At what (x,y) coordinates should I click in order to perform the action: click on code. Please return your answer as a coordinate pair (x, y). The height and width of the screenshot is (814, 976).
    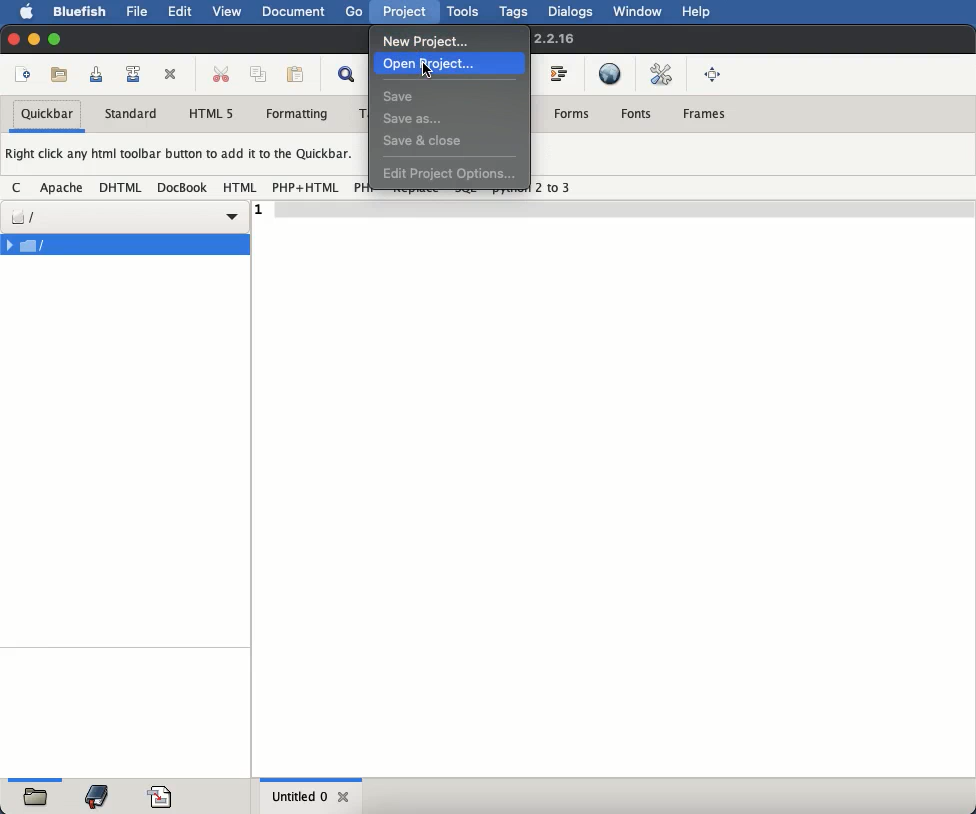
    Looking at the image, I should click on (160, 794).